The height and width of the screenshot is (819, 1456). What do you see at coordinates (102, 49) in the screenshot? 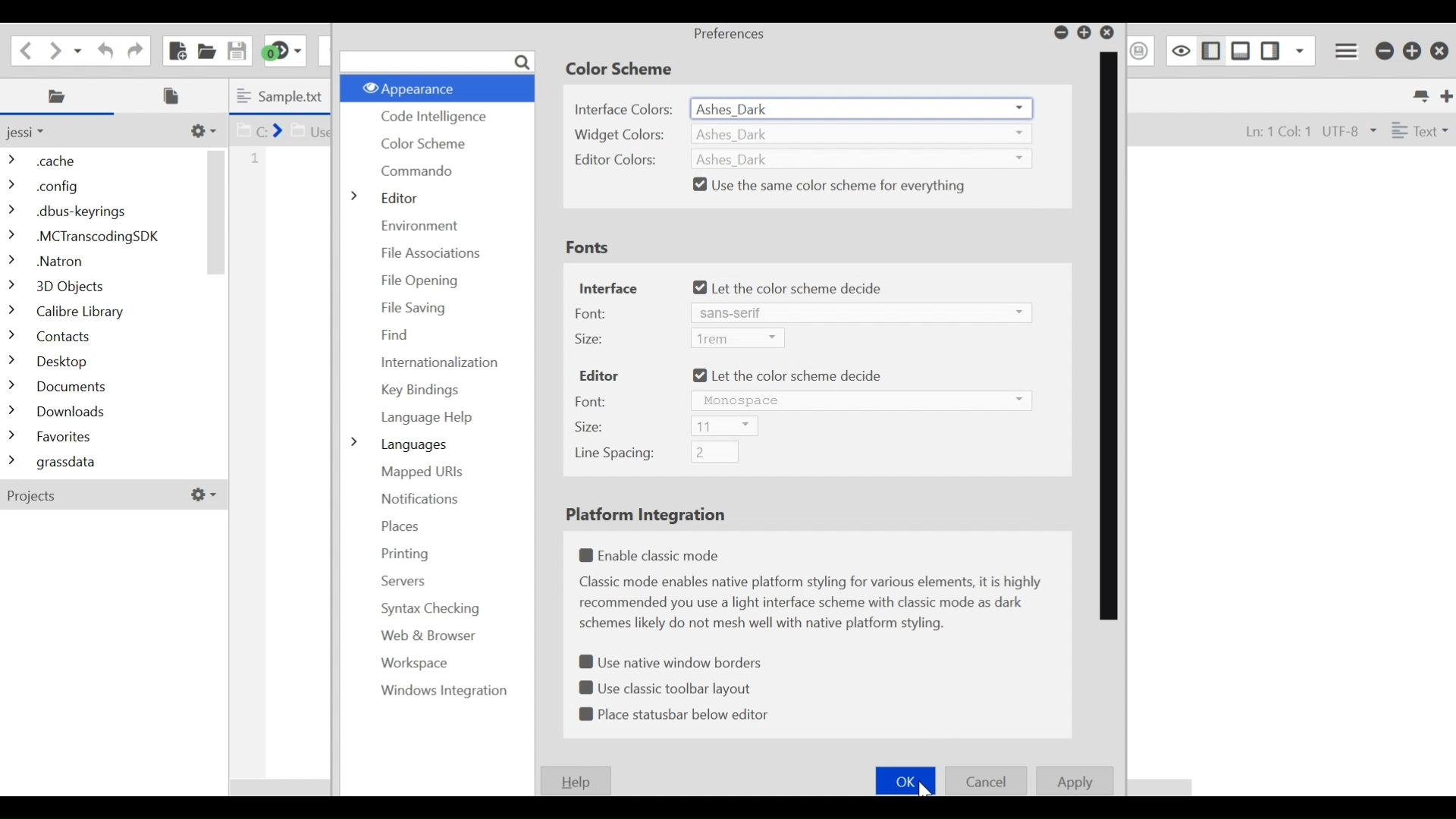
I see `undo` at bounding box center [102, 49].